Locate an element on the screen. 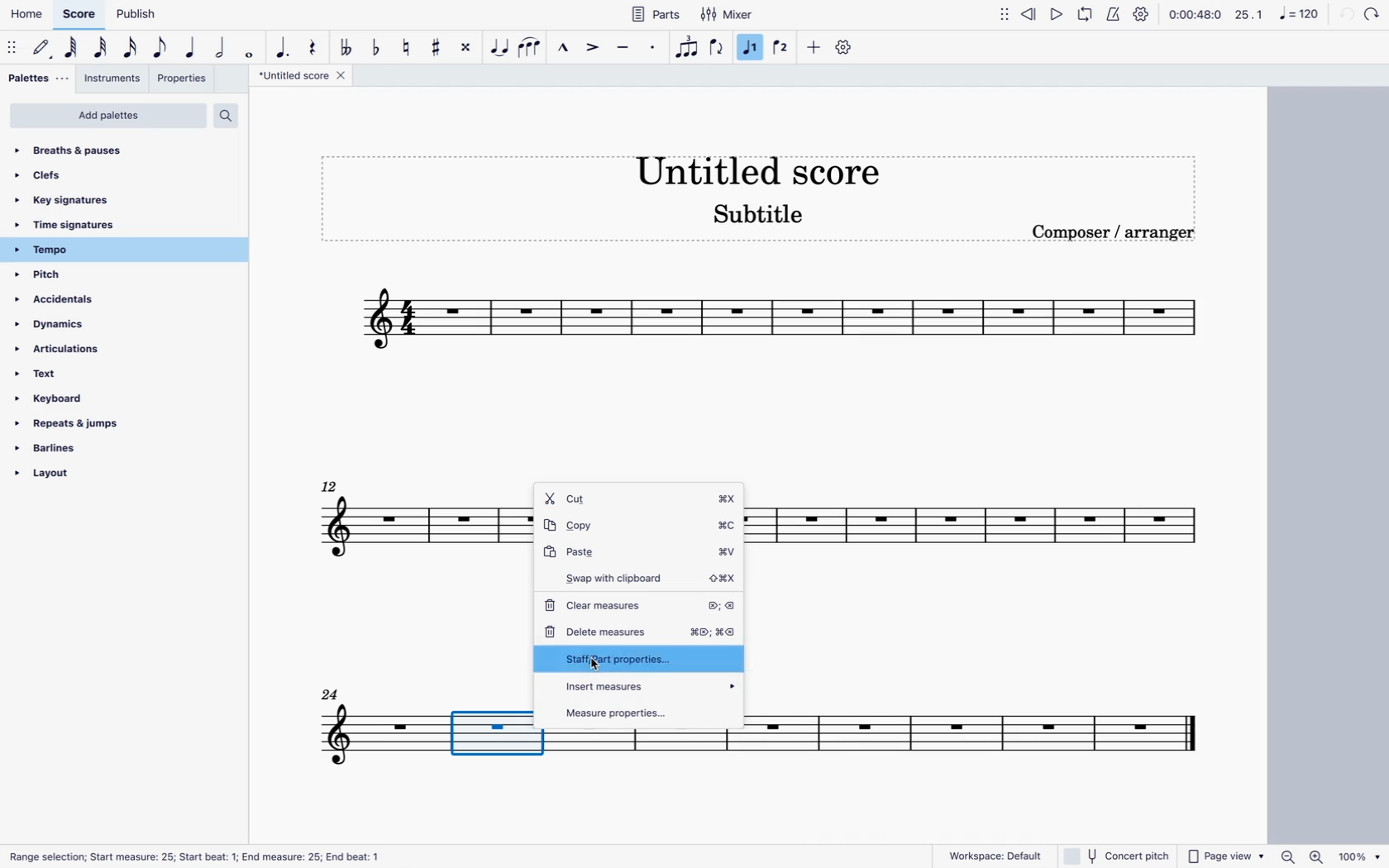  staff/part properties is located at coordinates (636, 659).